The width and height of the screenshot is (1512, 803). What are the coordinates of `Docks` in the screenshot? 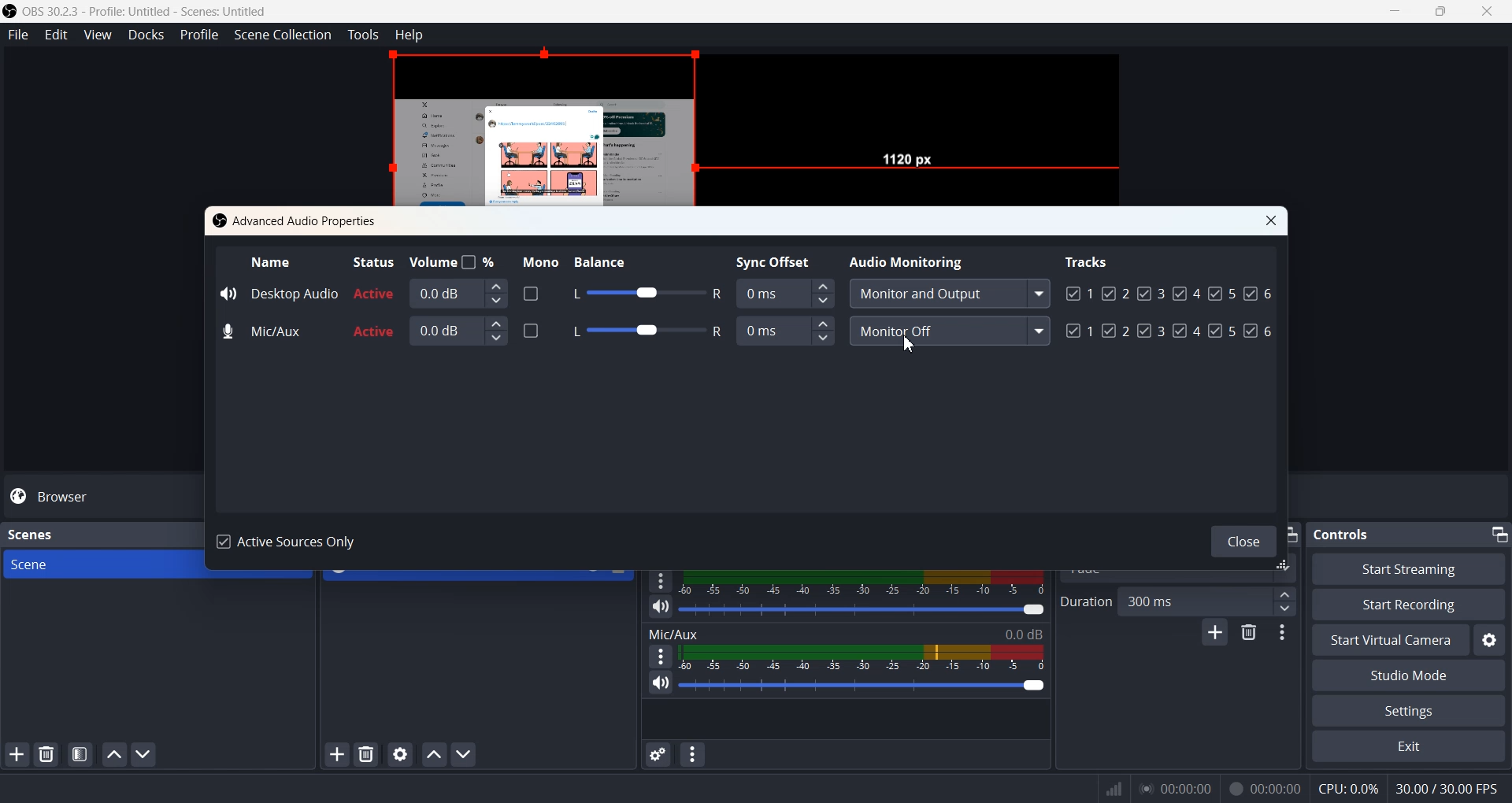 It's located at (146, 35).